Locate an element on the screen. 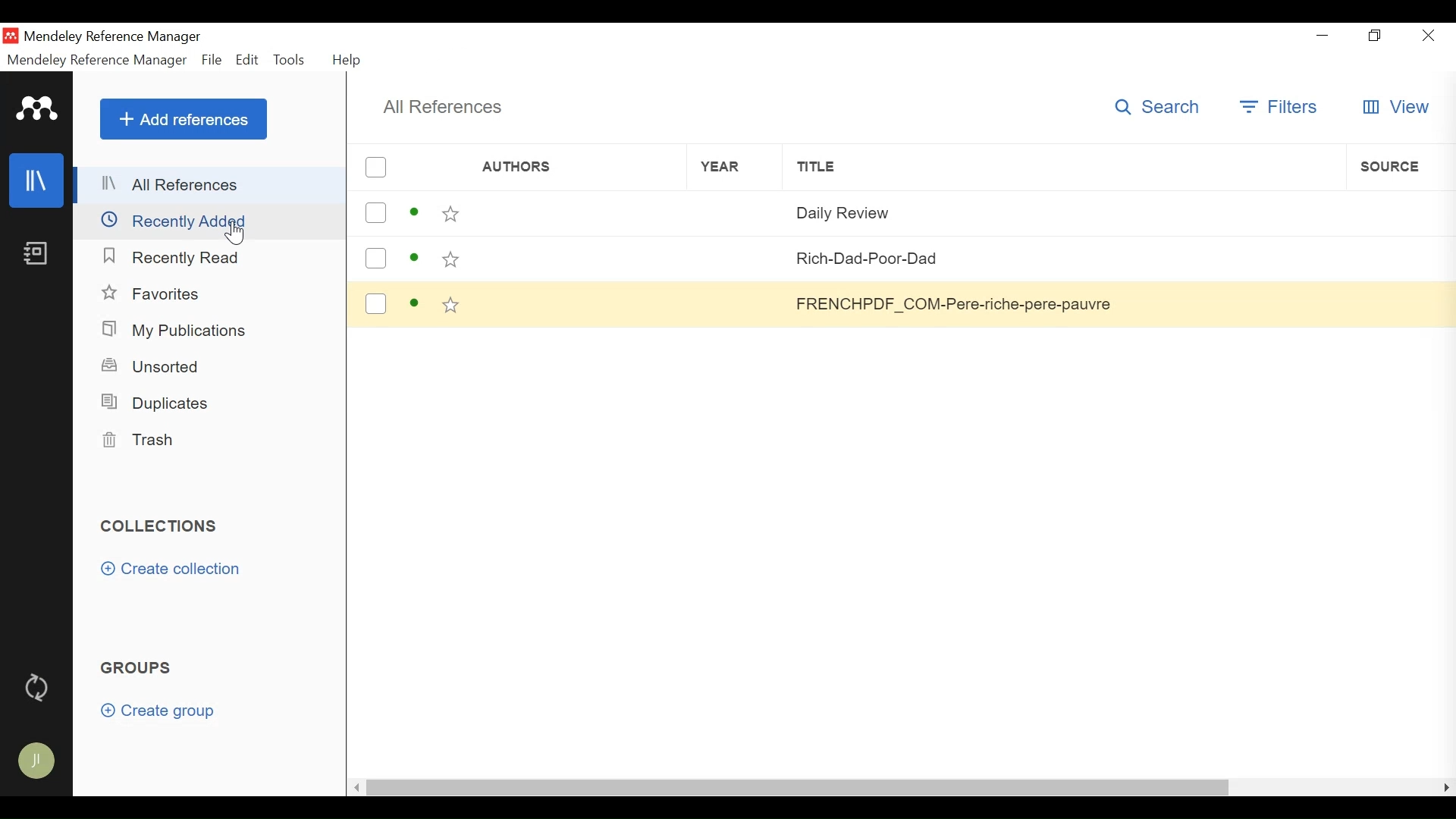 This screenshot has width=1456, height=819. Source is located at coordinates (1396, 209).